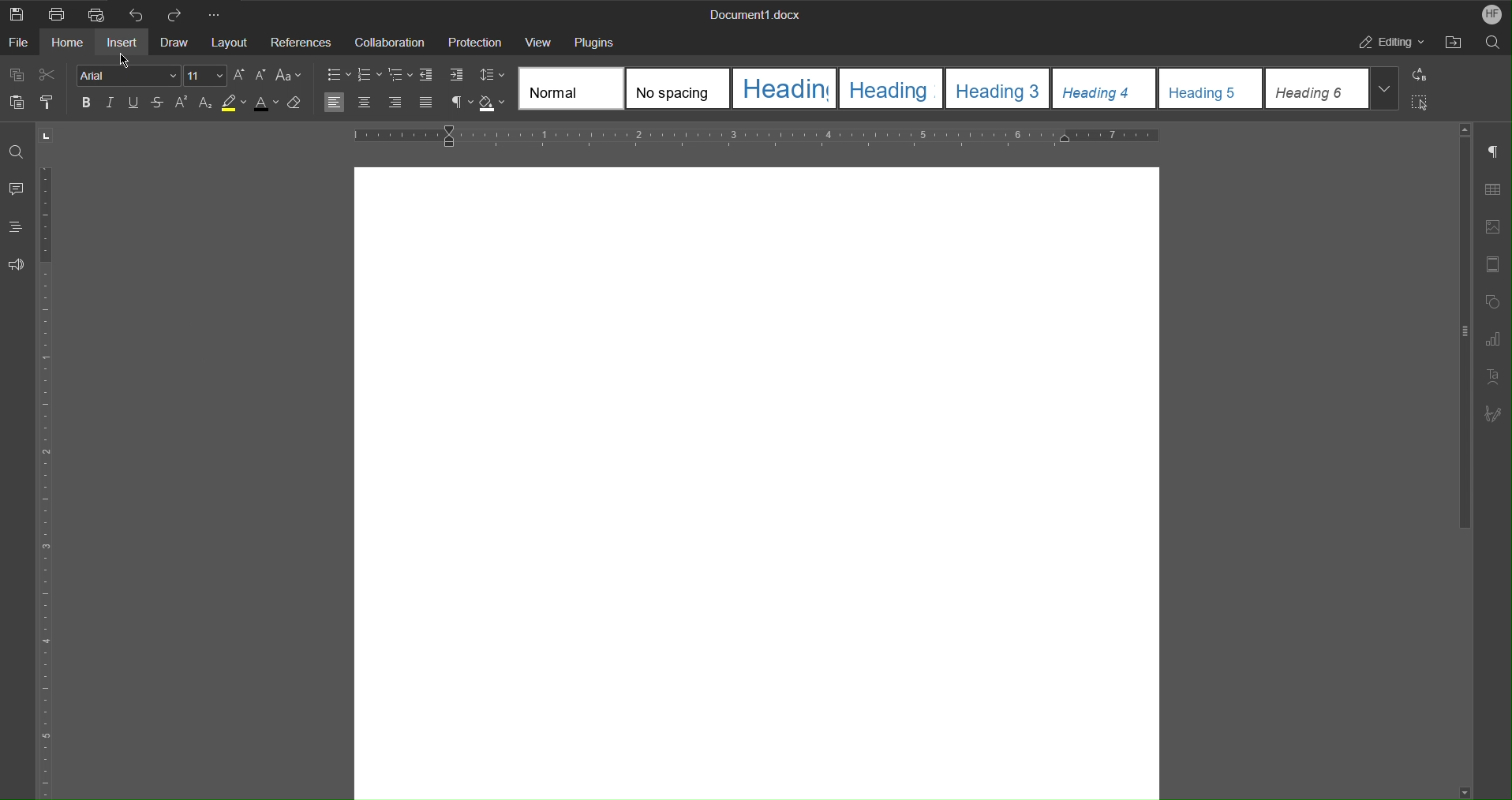 The width and height of the screenshot is (1512, 800). I want to click on Replace, so click(1420, 76).